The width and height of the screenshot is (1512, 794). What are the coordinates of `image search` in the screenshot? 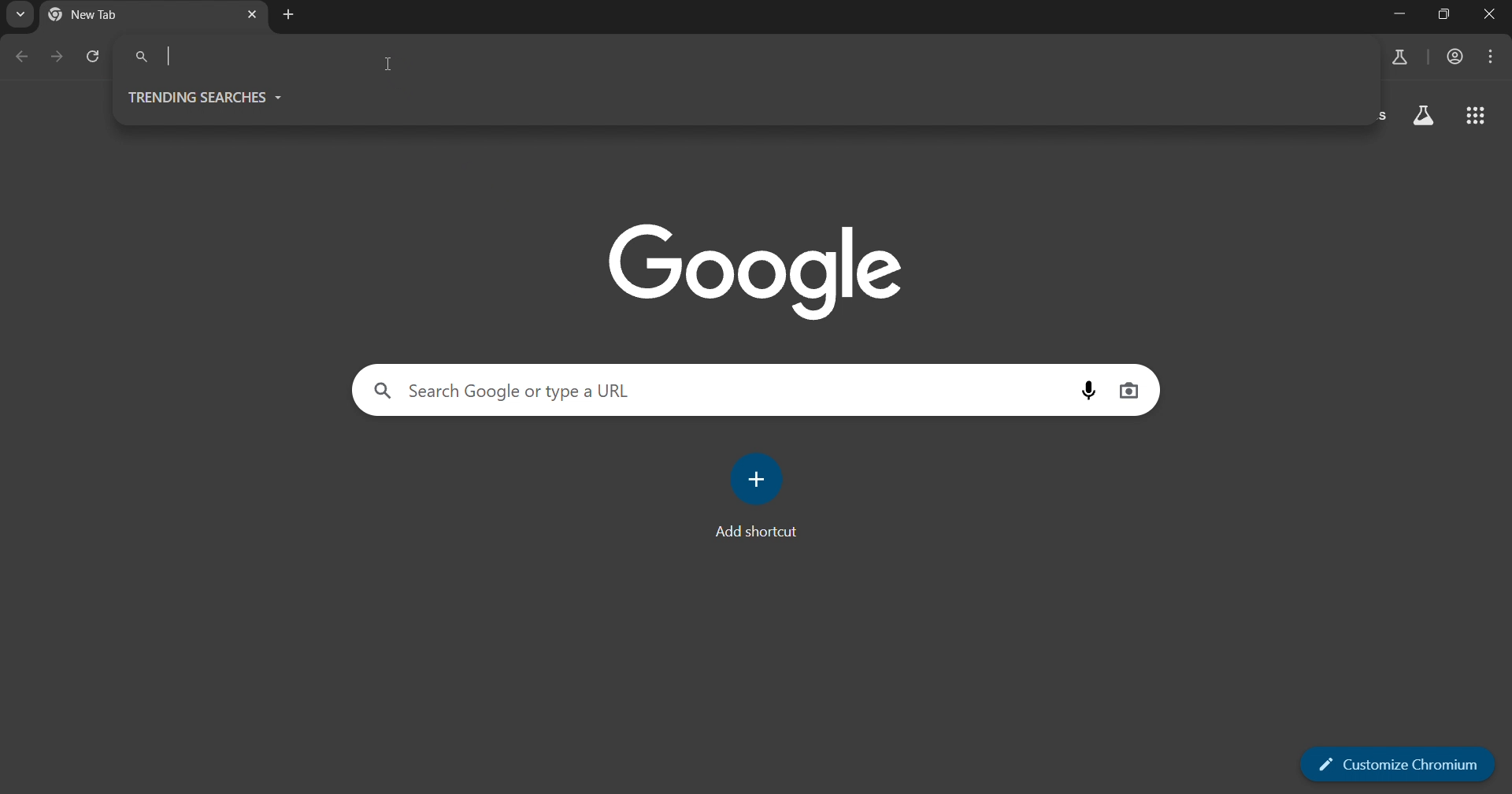 It's located at (1131, 390).